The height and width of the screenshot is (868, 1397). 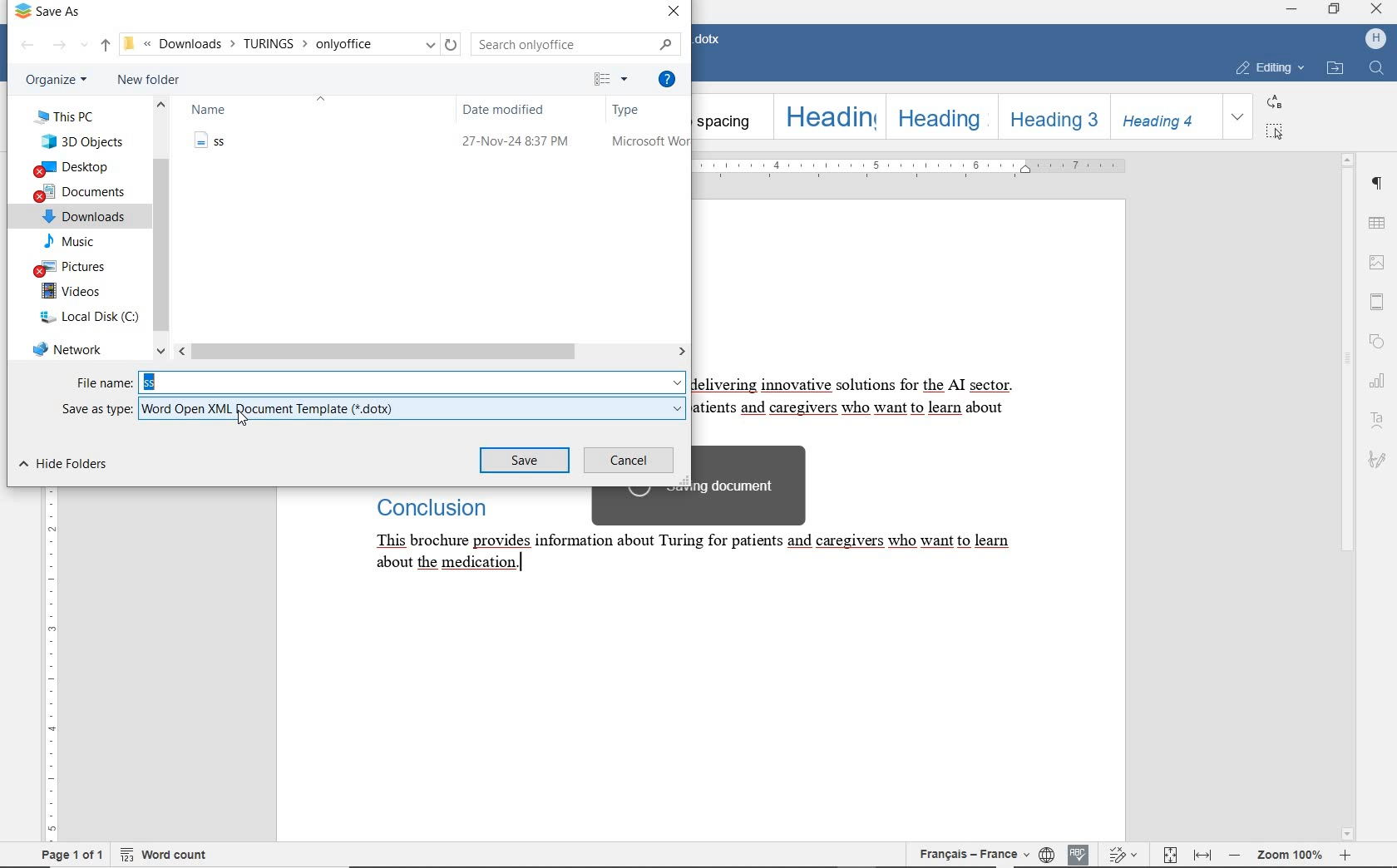 What do you see at coordinates (712, 40) in the screenshot?
I see `DOCUMENT NAME` at bounding box center [712, 40].